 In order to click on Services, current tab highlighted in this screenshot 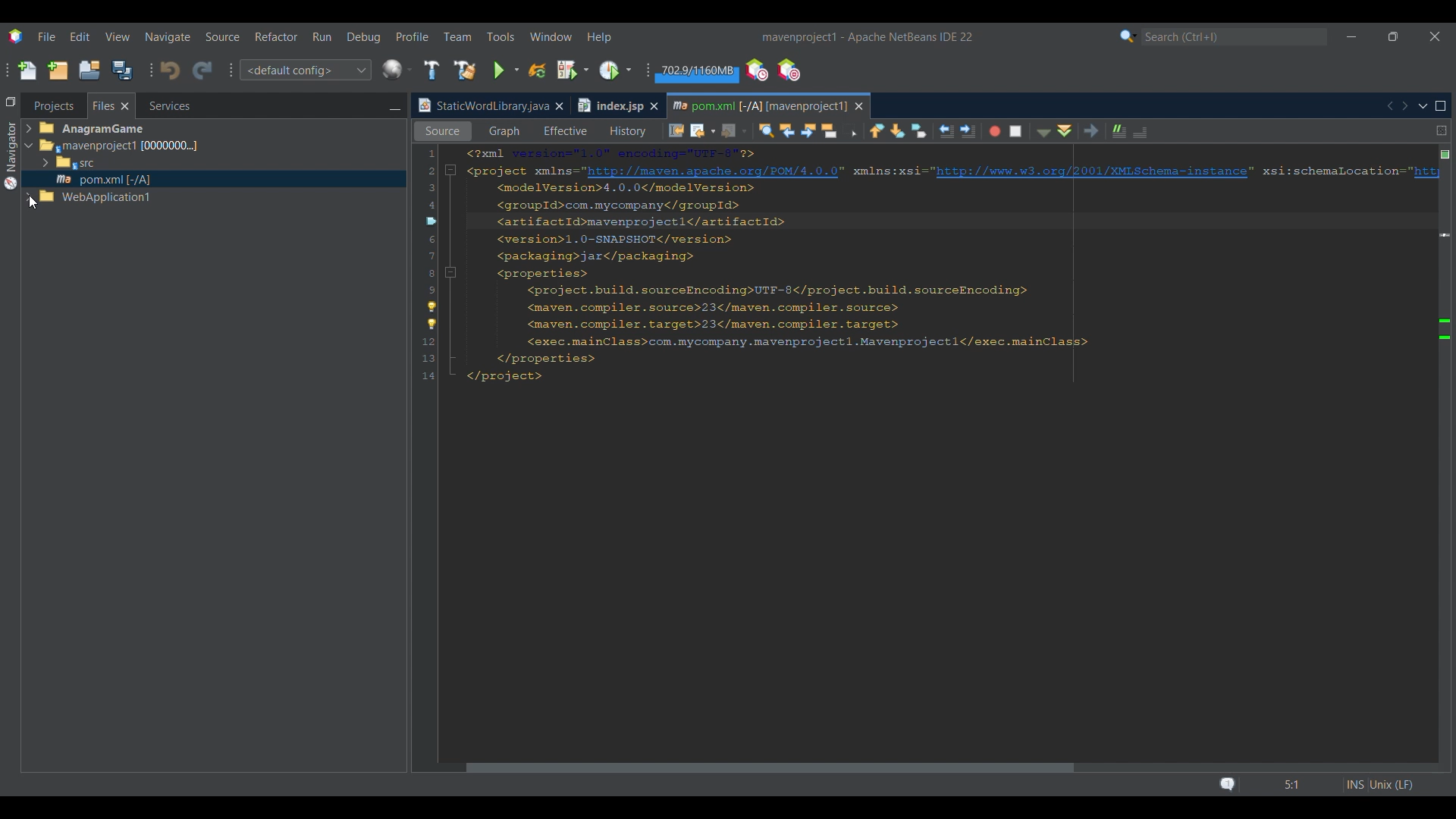, I will do `click(162, 105)`.